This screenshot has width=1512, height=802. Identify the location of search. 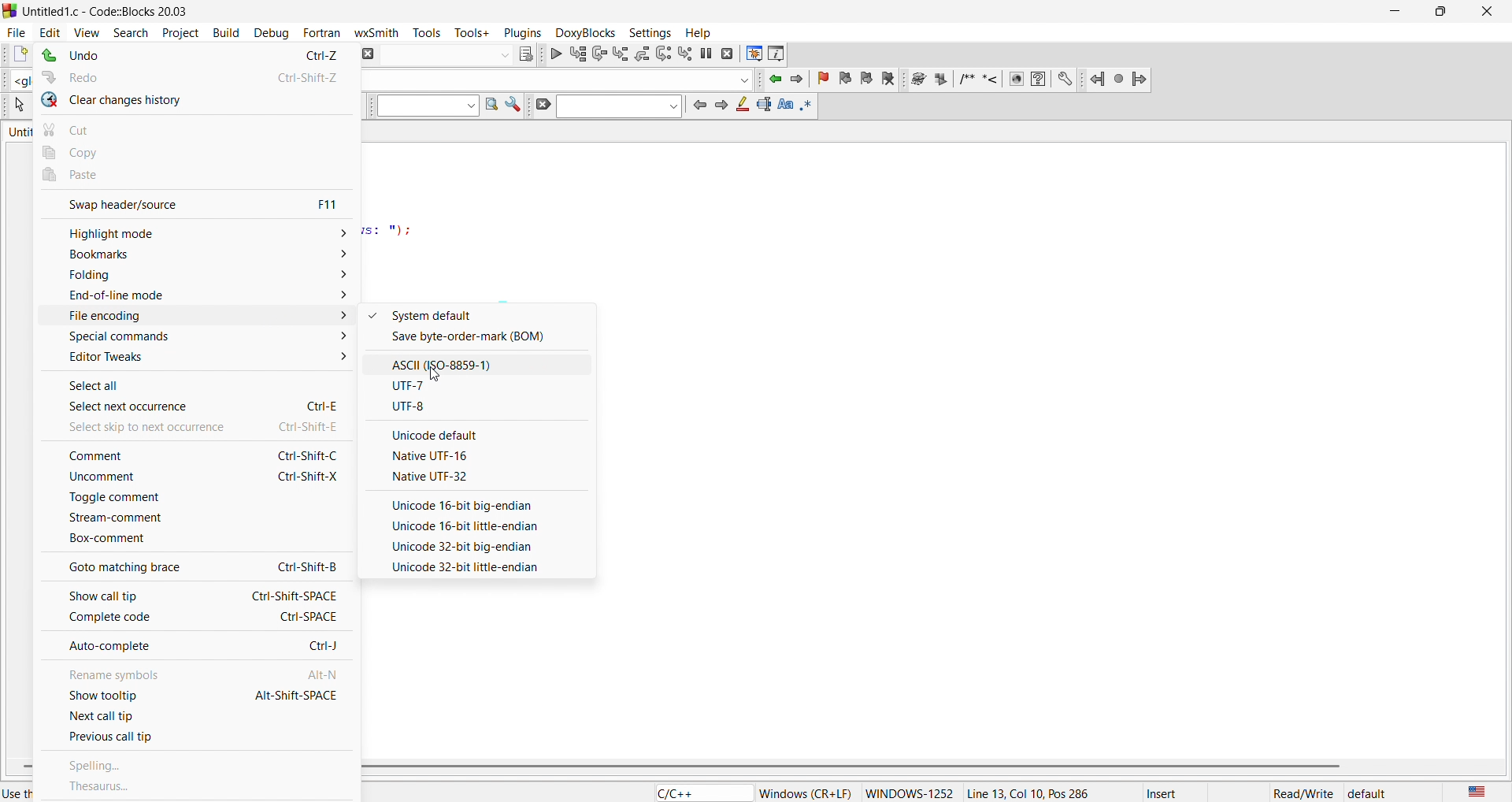
(130, 32).